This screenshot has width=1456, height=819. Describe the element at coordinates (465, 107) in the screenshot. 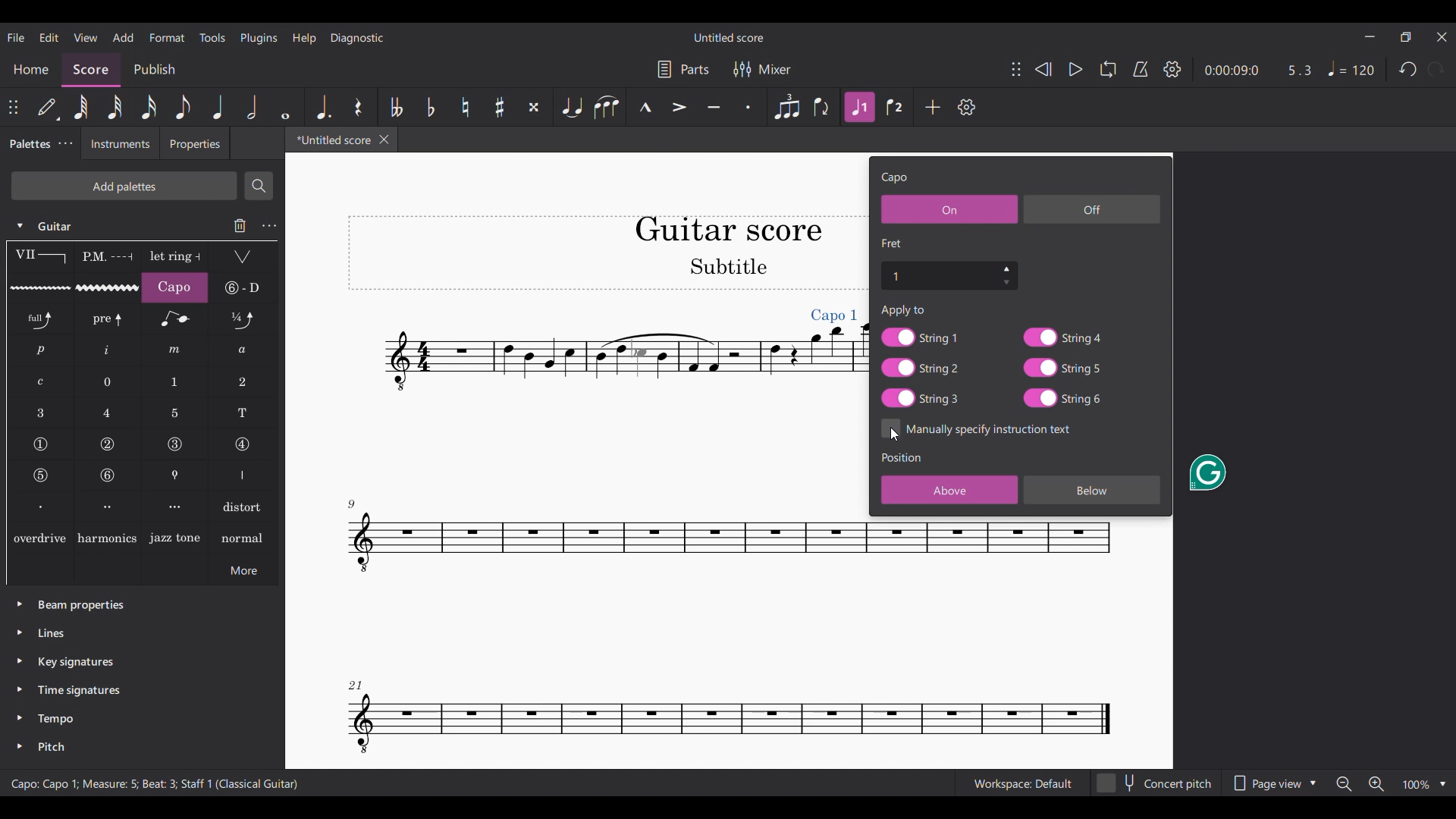

I see `Toggle natural` at that location.